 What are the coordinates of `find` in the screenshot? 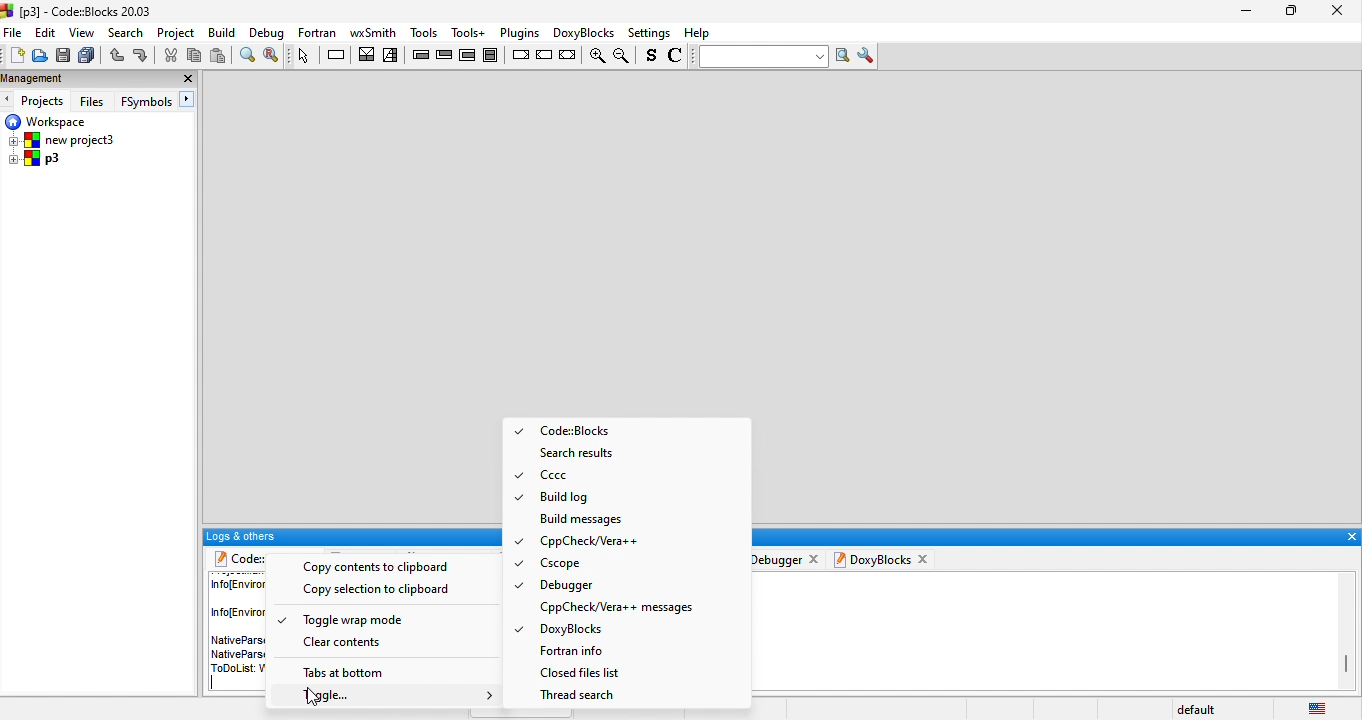 It's located at (246, 55).